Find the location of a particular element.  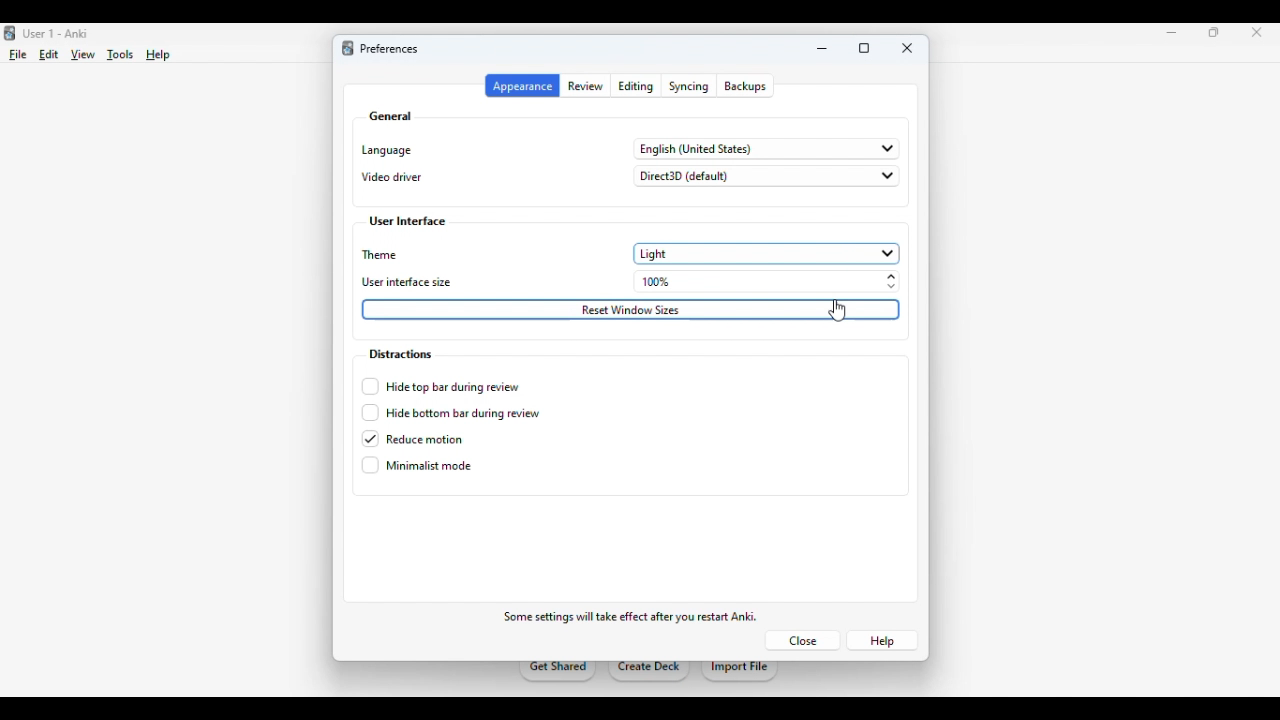

logo is located at coordinates (347, 48).